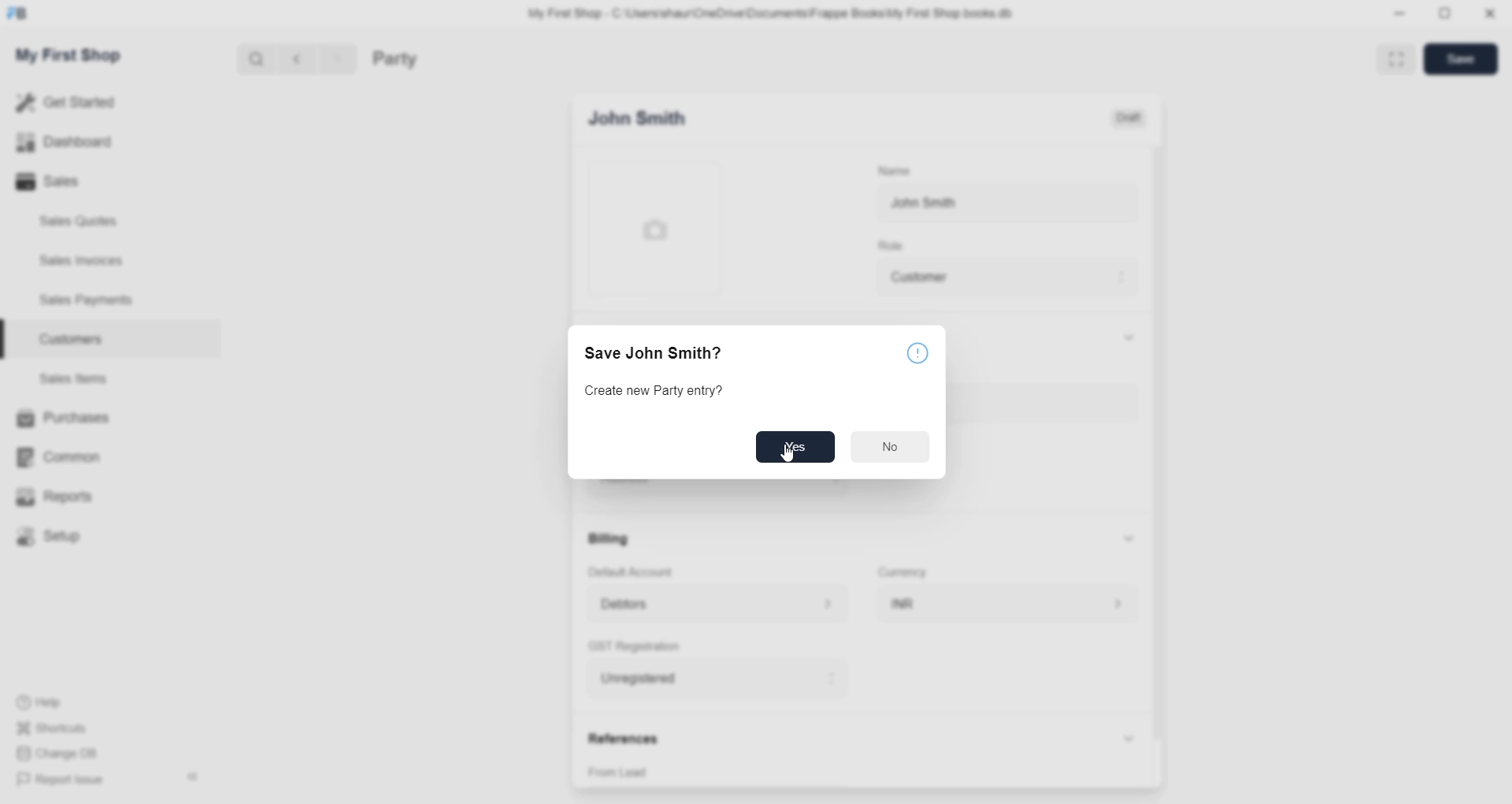  What do you see at coordinates (61, 140) in the screenshot?
I see `Dashboard` at bounding box center [61, 140].